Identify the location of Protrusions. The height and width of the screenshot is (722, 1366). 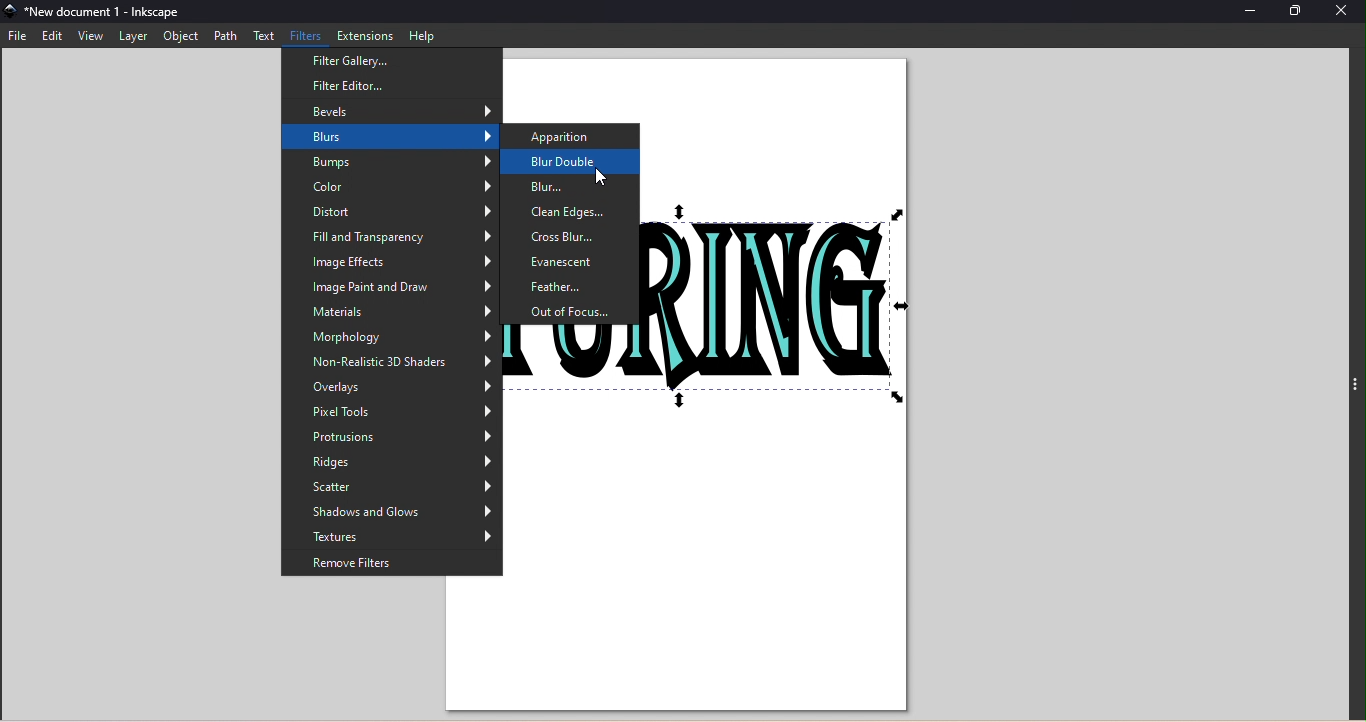
(390, 436).